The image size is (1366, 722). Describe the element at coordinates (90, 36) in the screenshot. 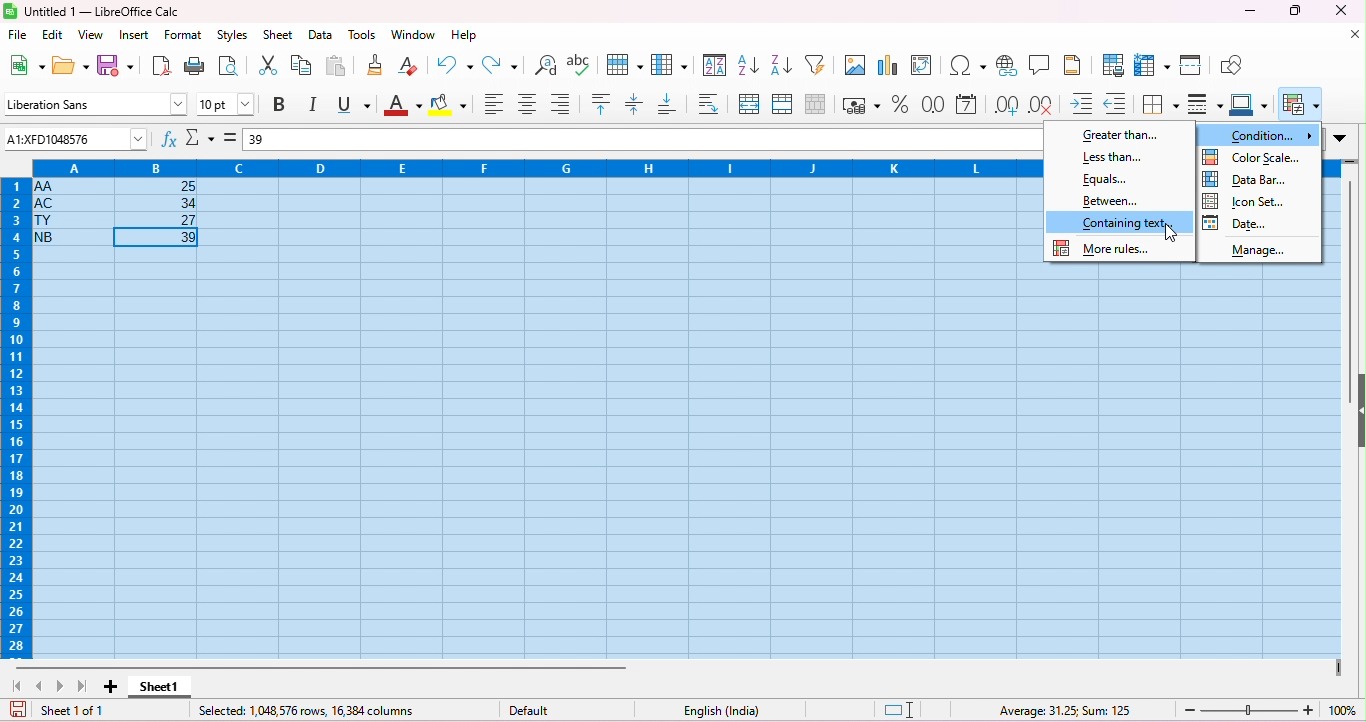

I see `view` at that location.